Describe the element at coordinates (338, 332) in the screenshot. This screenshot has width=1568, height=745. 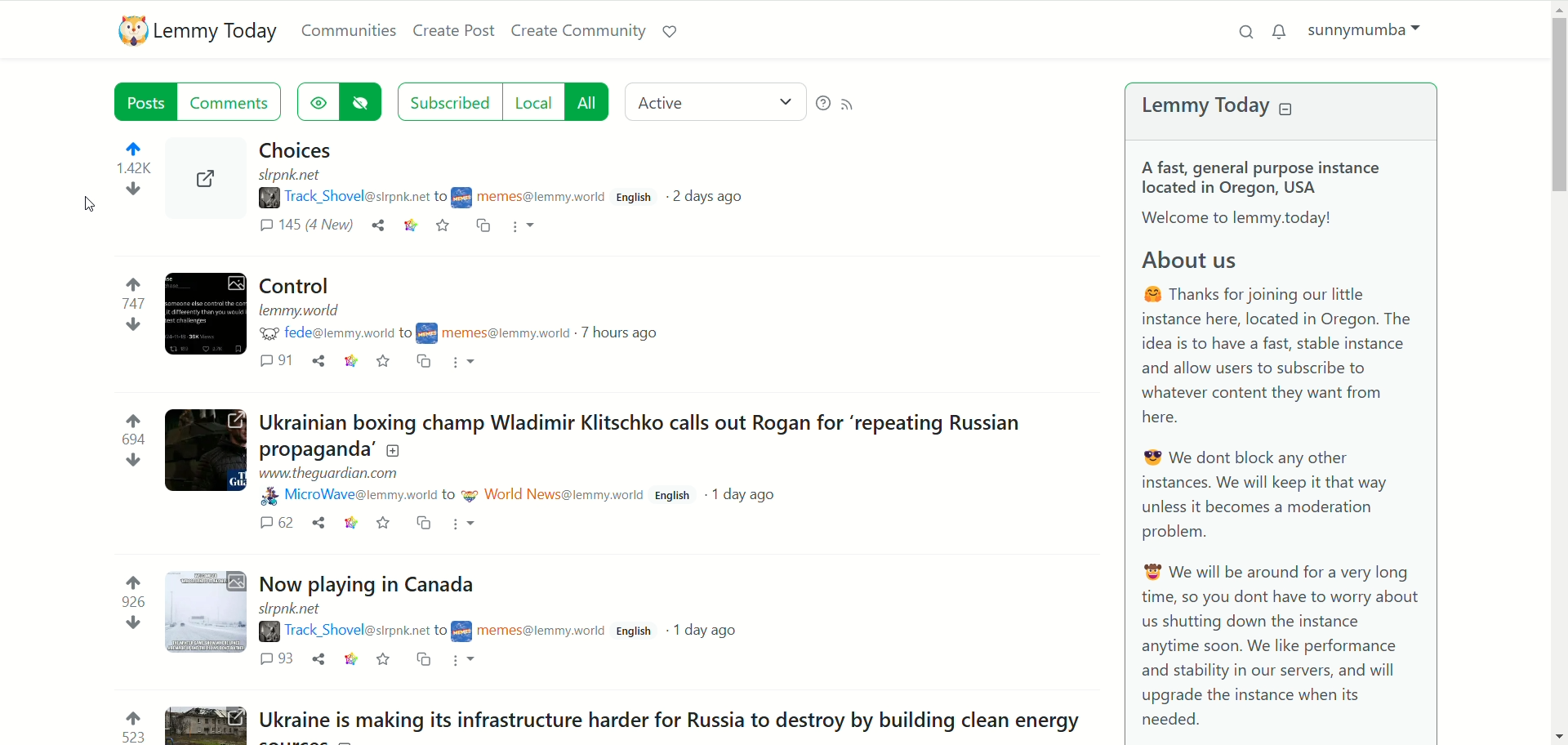
I see `username` at that location.